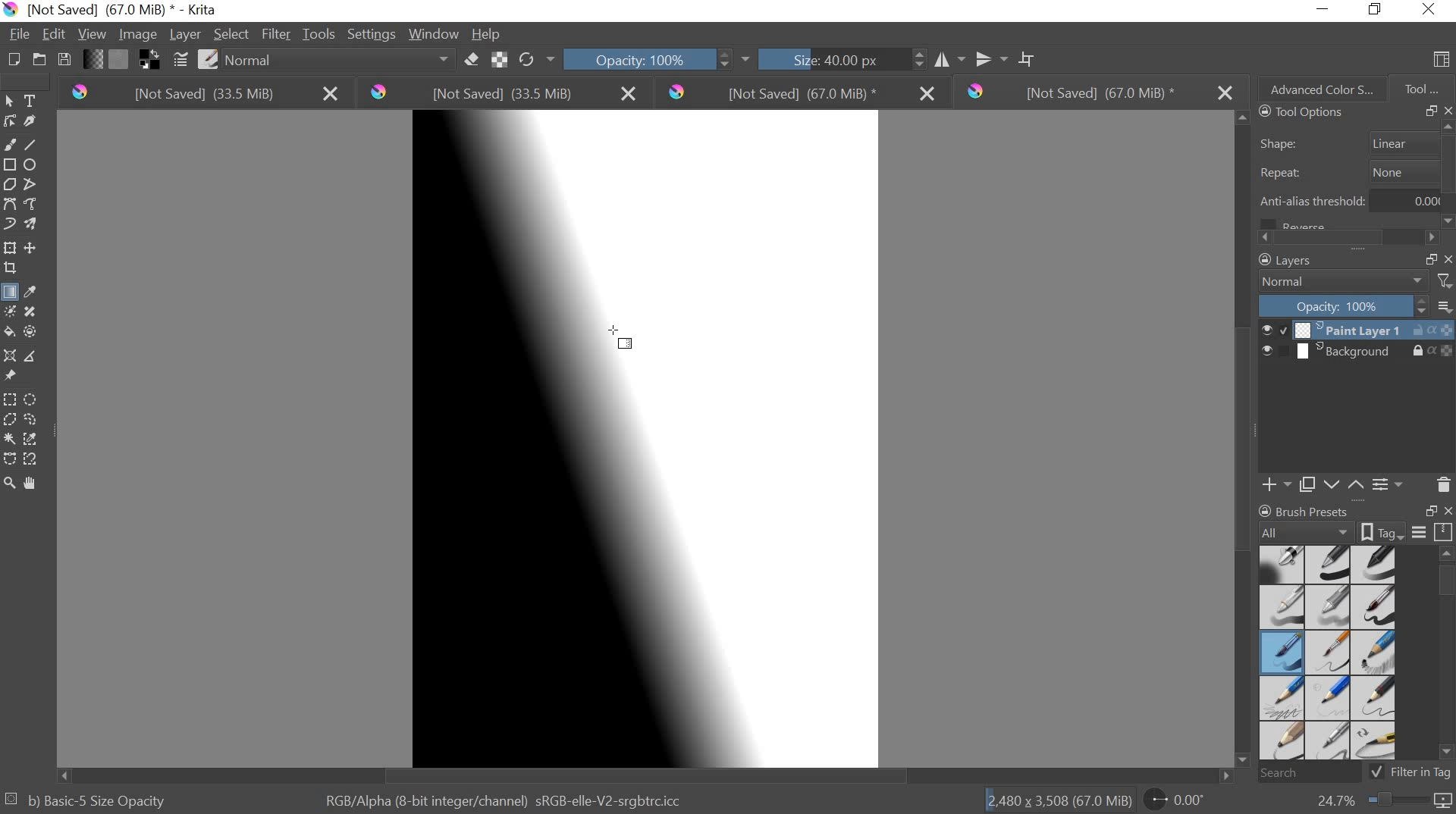 This screenshot has width=1456, height=814. What do you see at coordinates (1344, 282) in the screenshot?
I see `NORMAL` at bounding box center [1344, 282].